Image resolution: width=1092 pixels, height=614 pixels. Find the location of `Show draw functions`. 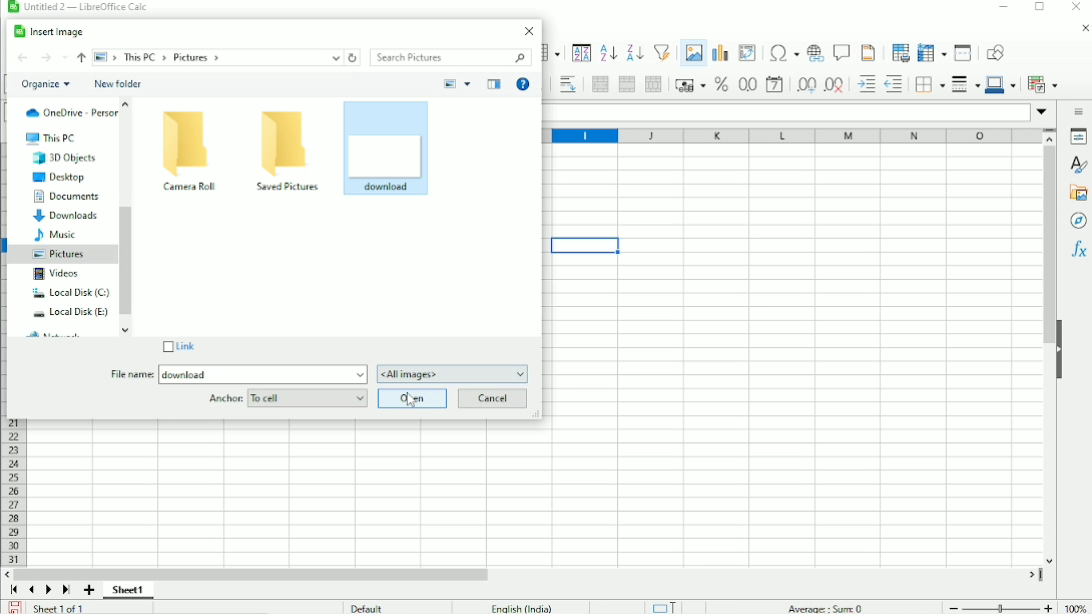

Show draw functions is located at coordinates (995, 52).